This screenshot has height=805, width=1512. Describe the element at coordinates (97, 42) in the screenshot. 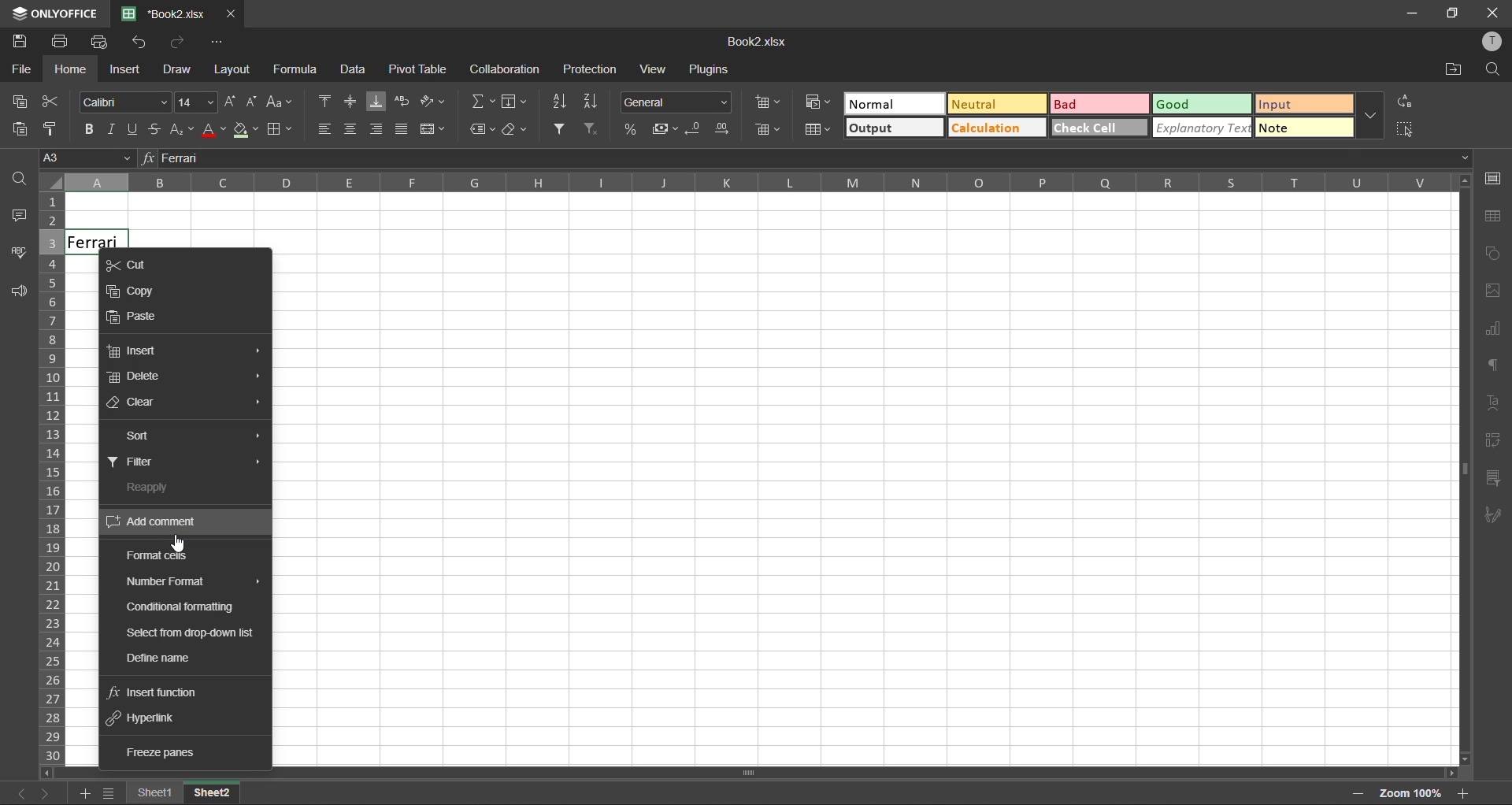

I see `quick print` at that location.